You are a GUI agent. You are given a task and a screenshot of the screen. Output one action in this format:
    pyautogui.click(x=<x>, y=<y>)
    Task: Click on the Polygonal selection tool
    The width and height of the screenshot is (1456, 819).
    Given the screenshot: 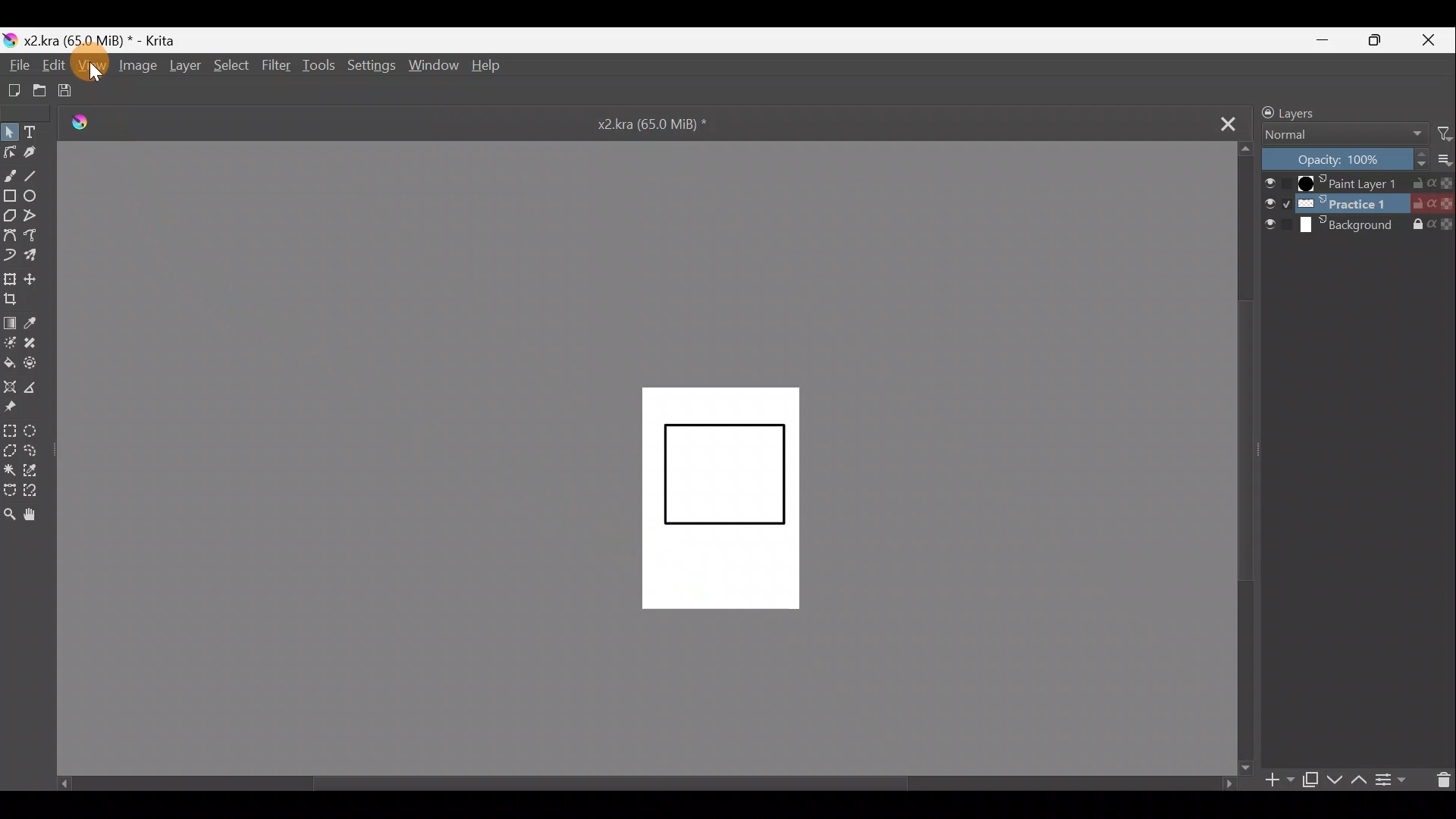 What is the action you would take?
    pyautogui.click(x=9, y=450)
    